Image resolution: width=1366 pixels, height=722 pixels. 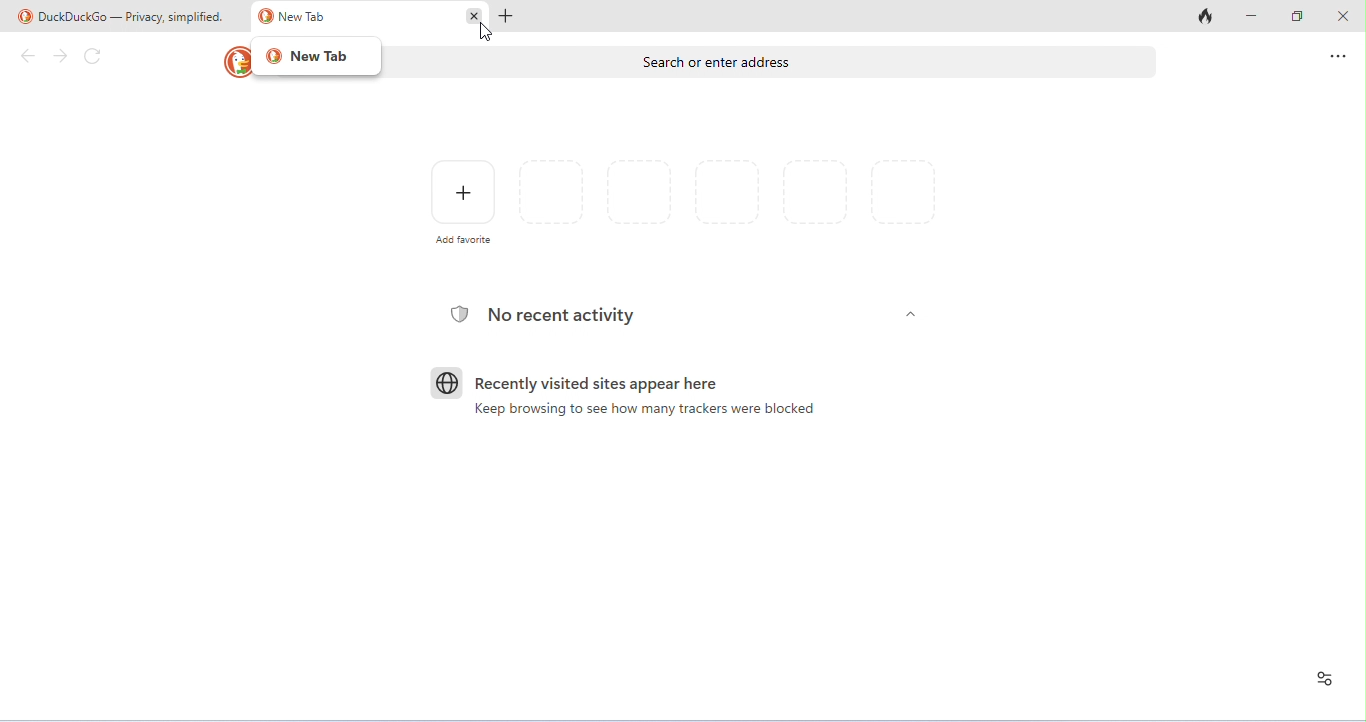 I want to click on add favorite, so click(x=462, y=203).